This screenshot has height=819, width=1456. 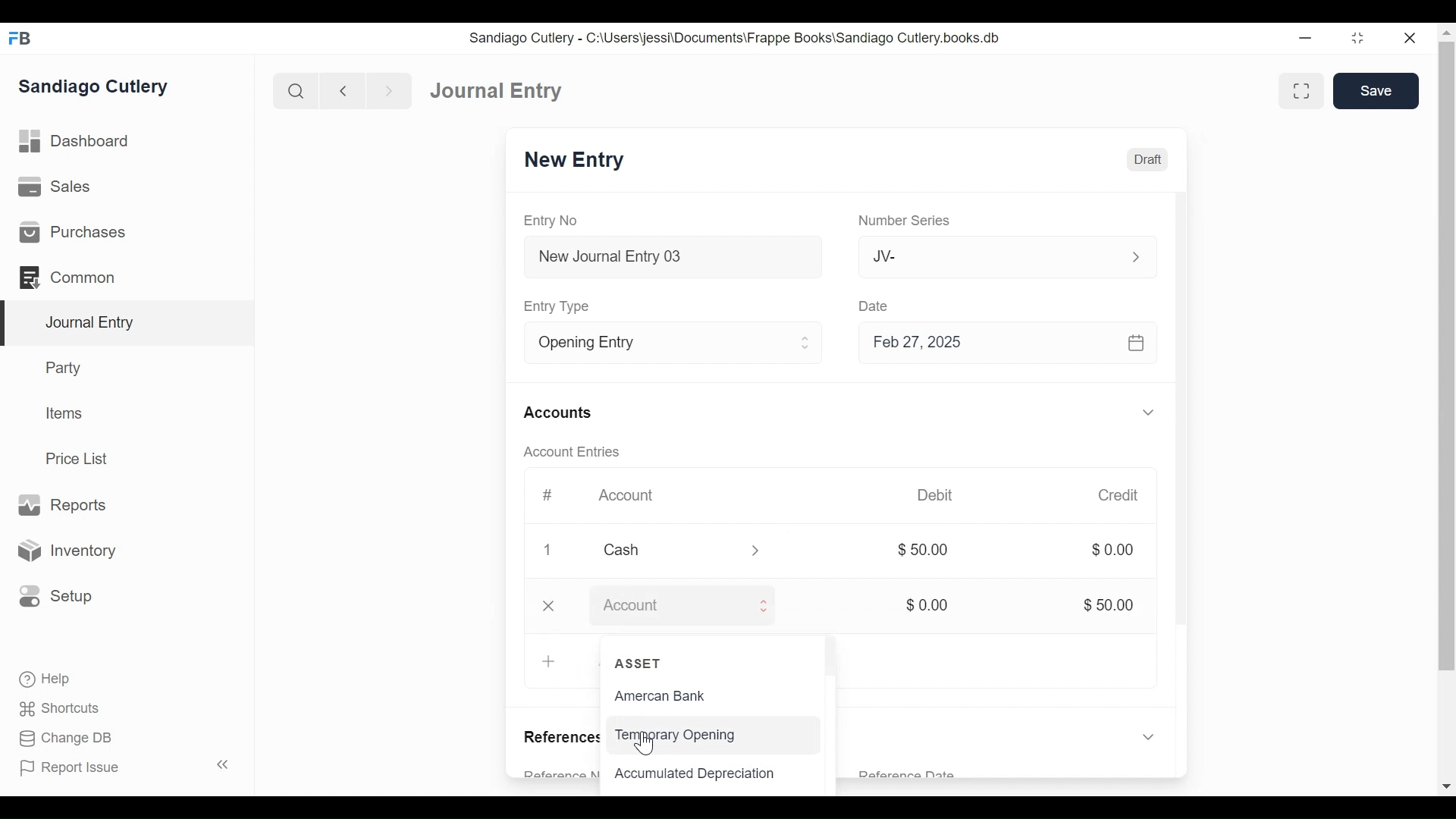 I want to click on Credit, so click(x=1117, y=495).